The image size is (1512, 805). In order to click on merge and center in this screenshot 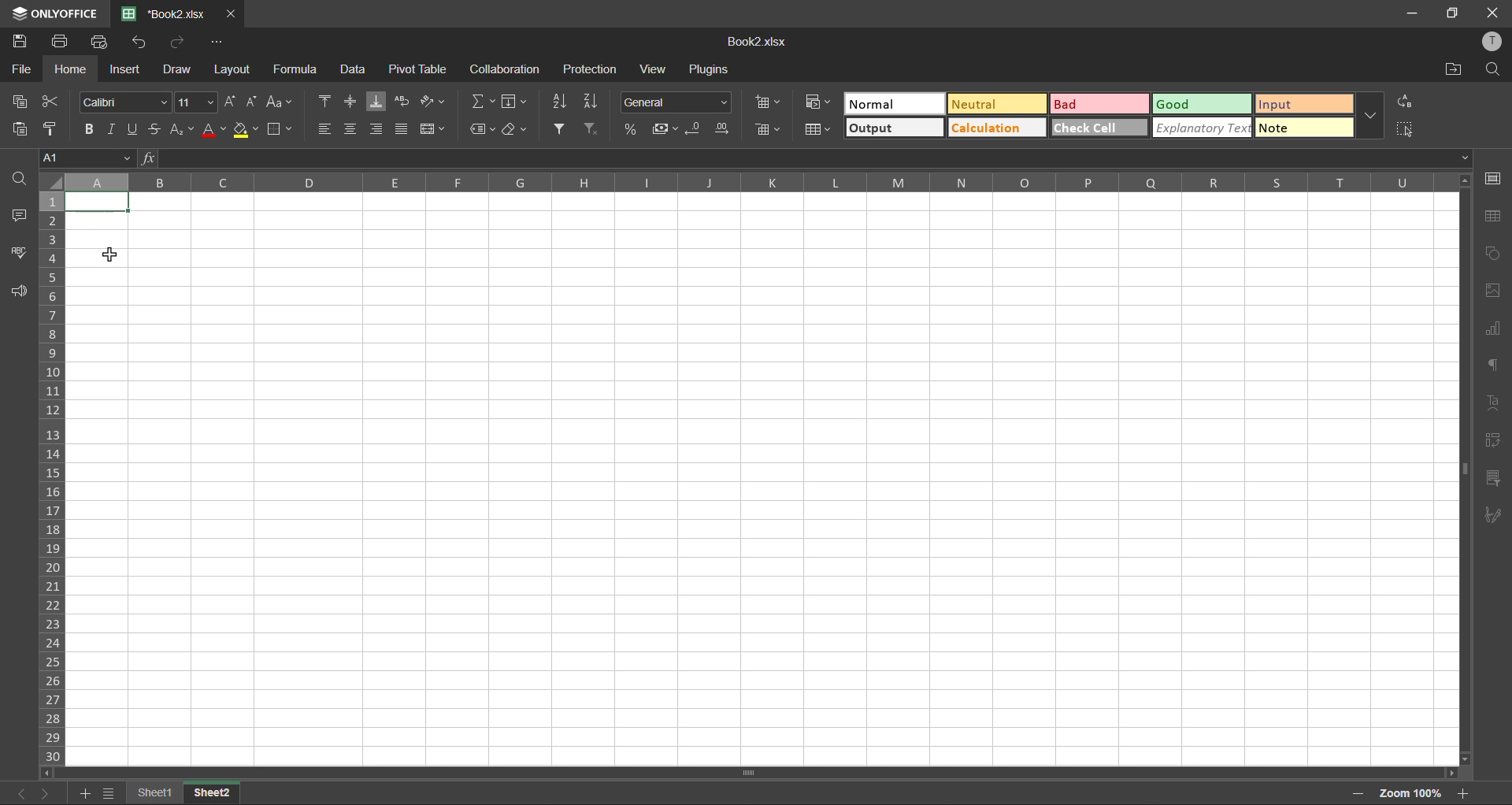, I will do `click(433, 129)`.